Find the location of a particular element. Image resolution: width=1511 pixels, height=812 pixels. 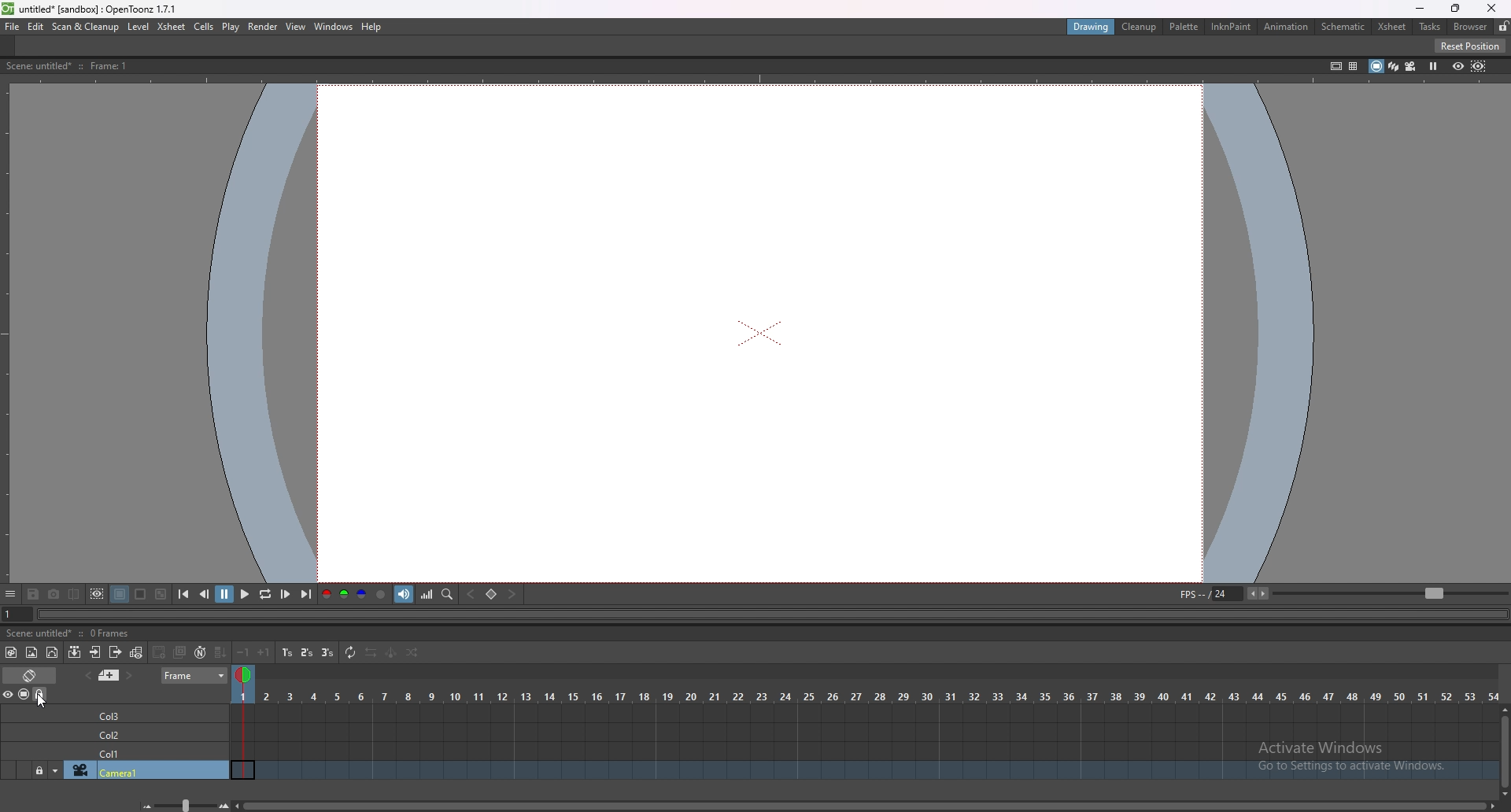

auto input cell number is located at coordinates (201, 652).